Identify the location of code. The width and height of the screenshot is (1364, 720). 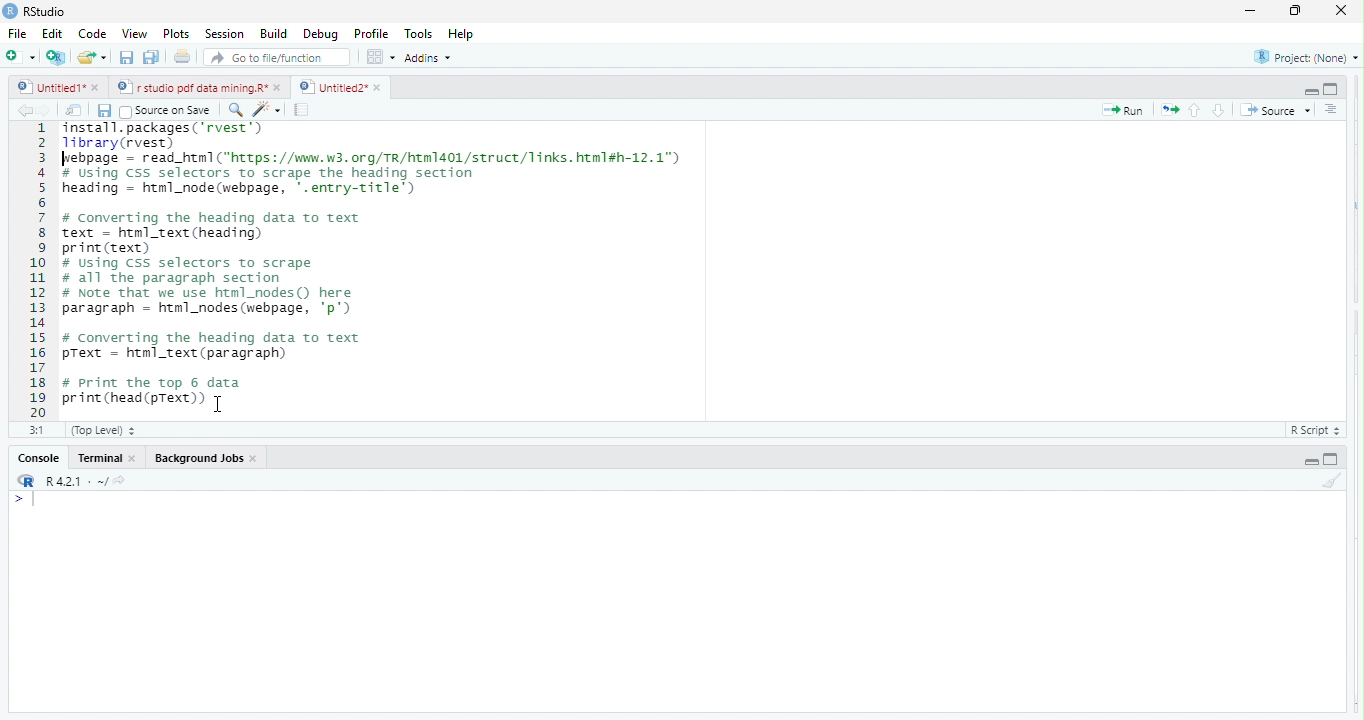
(93, 35).